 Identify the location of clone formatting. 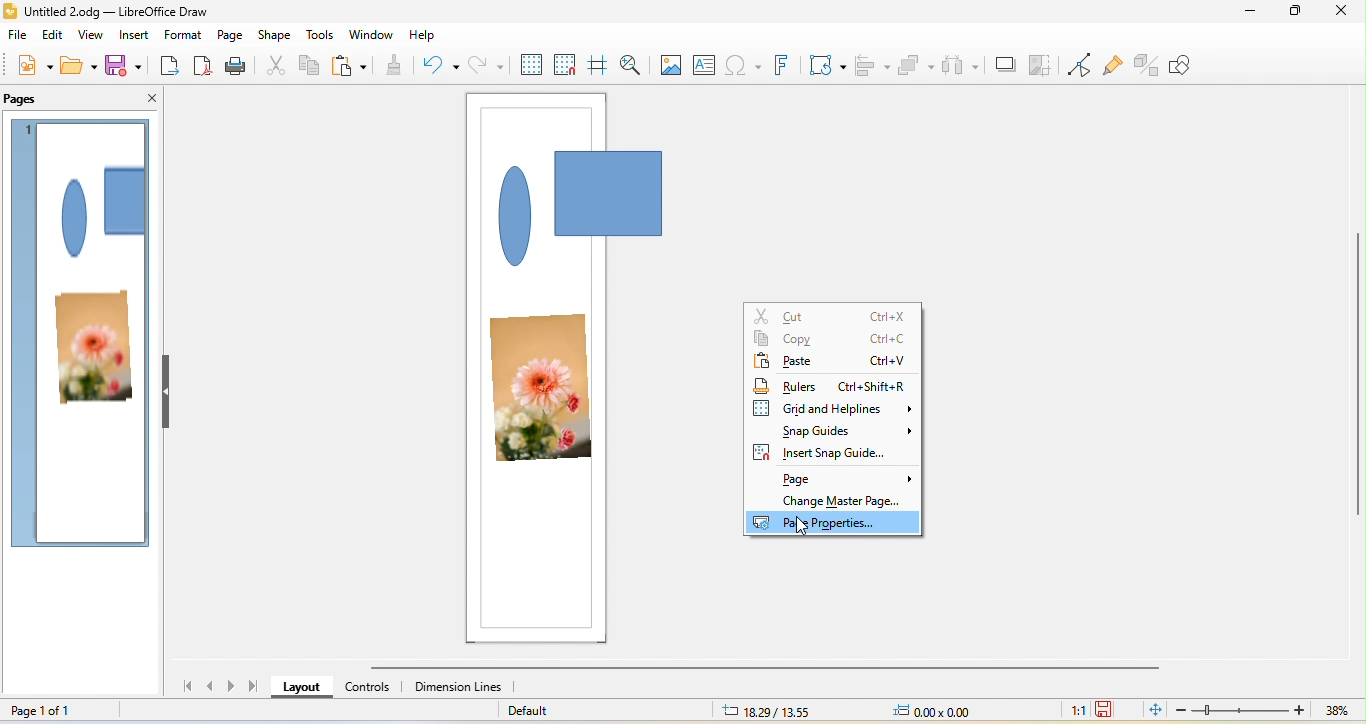
(400, 66).